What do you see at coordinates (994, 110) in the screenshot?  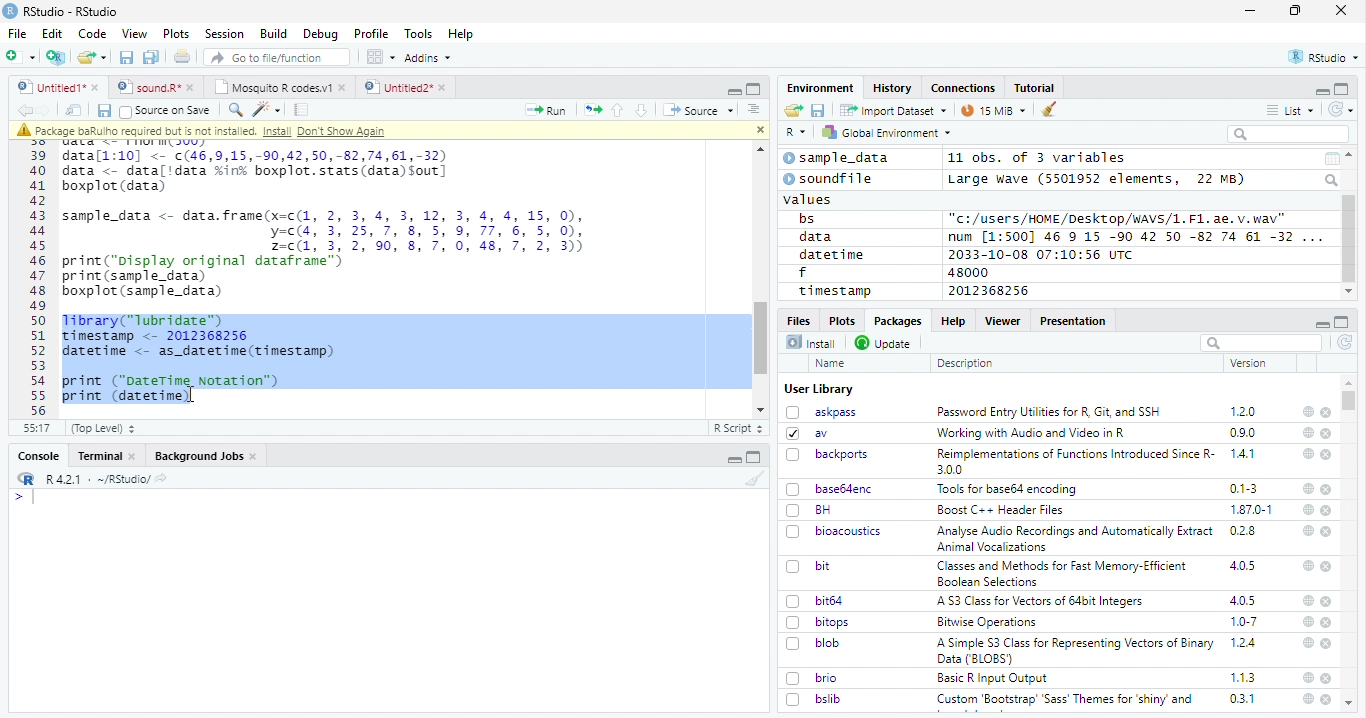 I see `15 MiB` at bounding box center [994, 110].